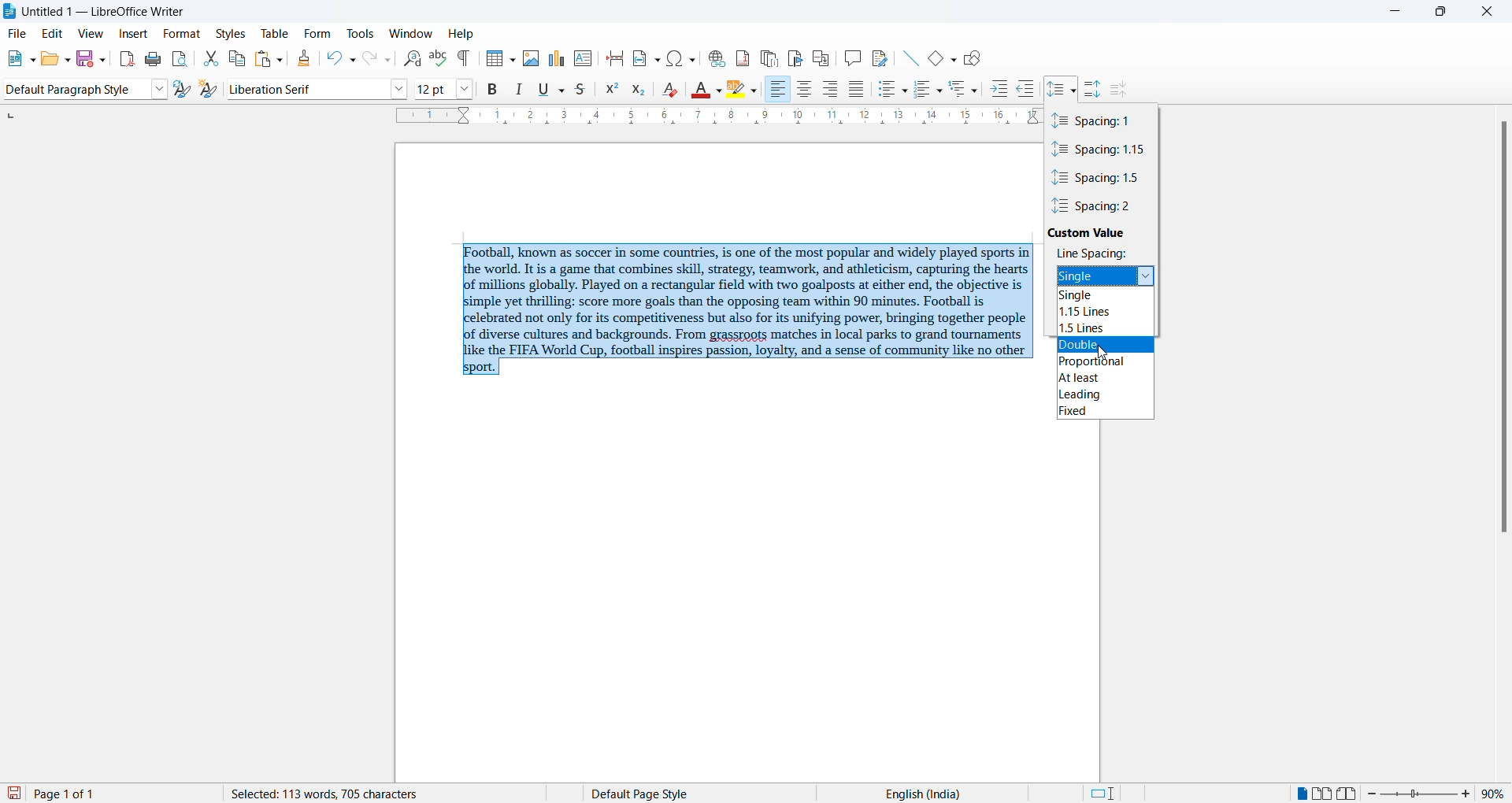  I want to click on style options, so click(161, 88).